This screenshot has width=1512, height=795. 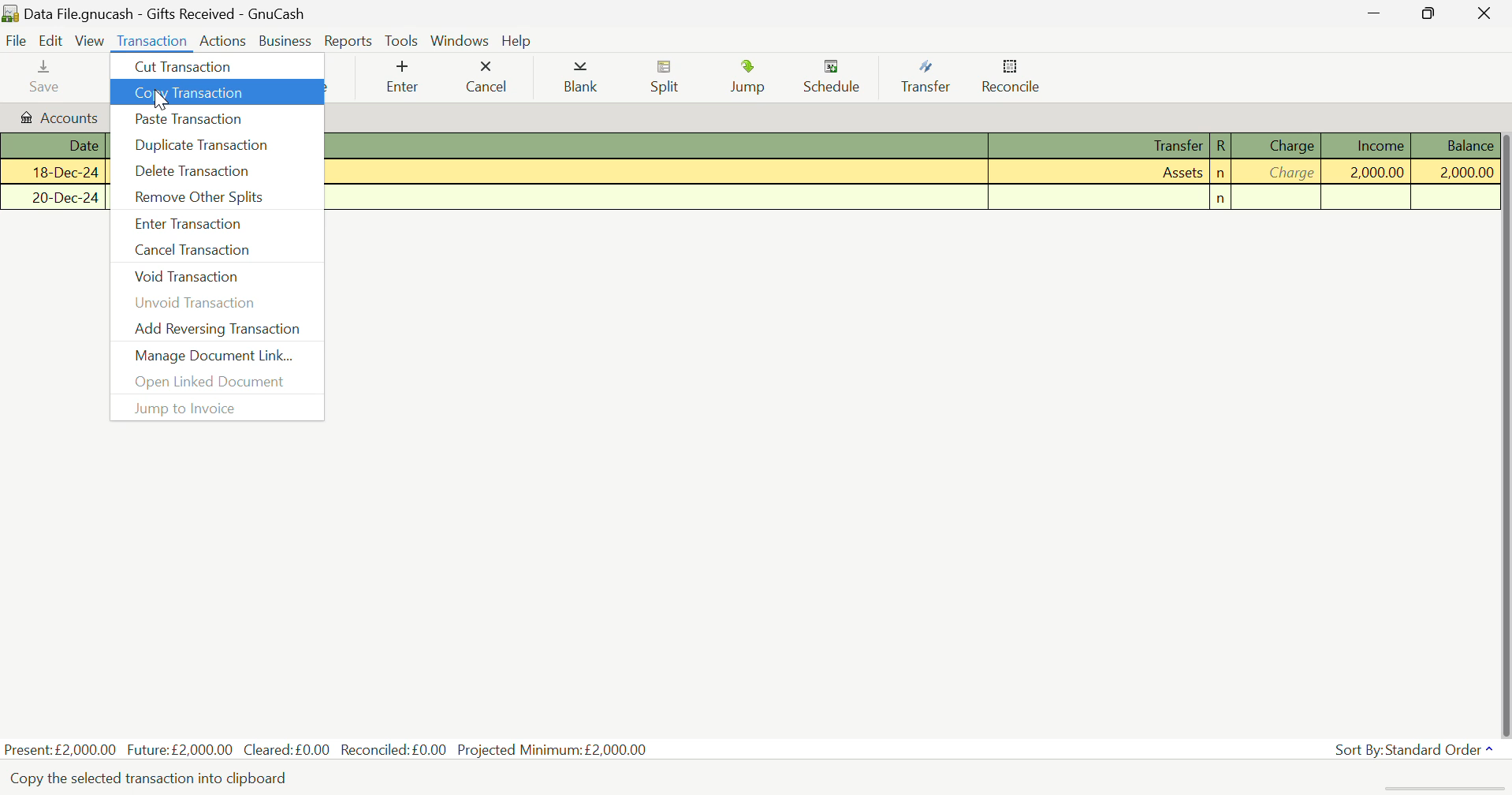 What do you see at coordinates (218, 66) in the screenshot?
I see `Cut Transaction` at bounding box center [218, 66].